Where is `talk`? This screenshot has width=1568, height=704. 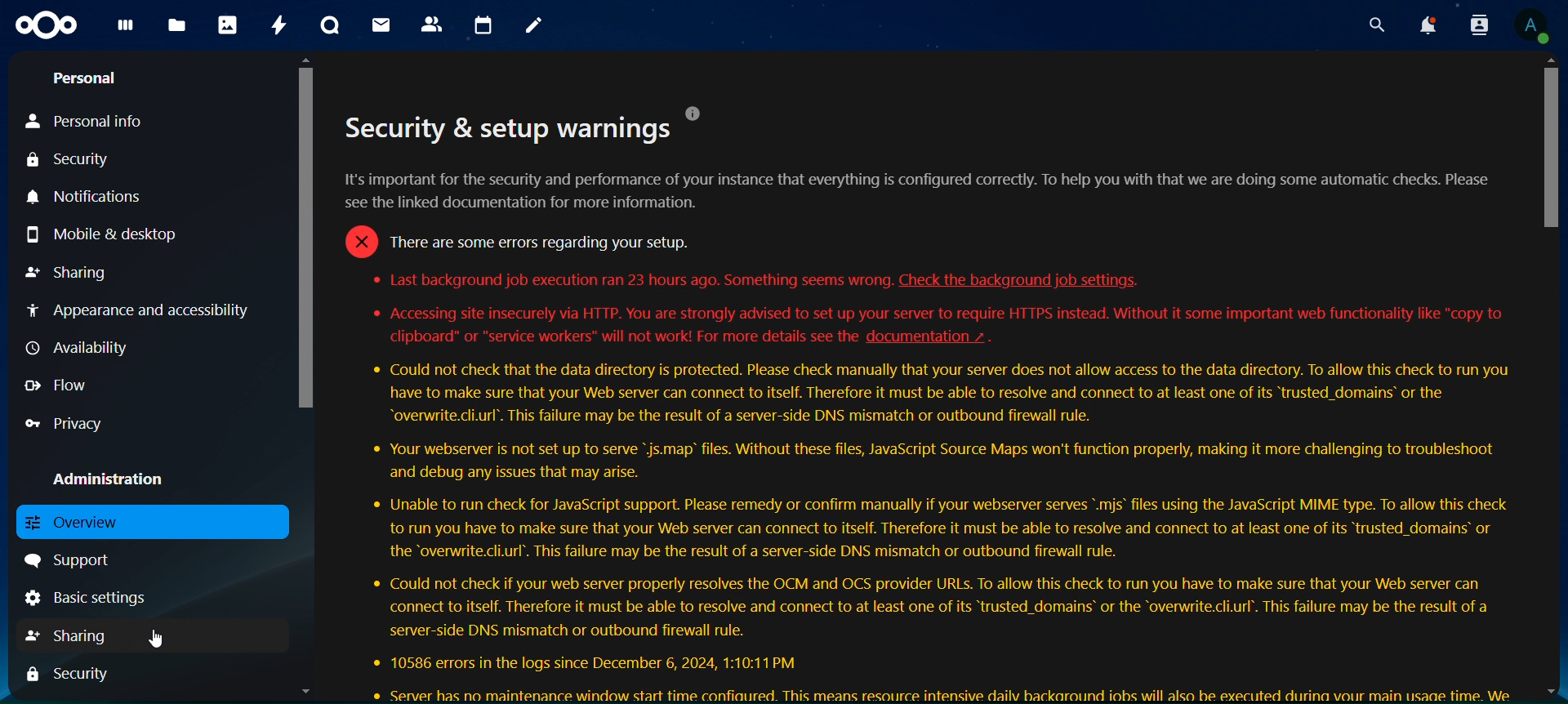 talk is located at coordinates (333, 25).